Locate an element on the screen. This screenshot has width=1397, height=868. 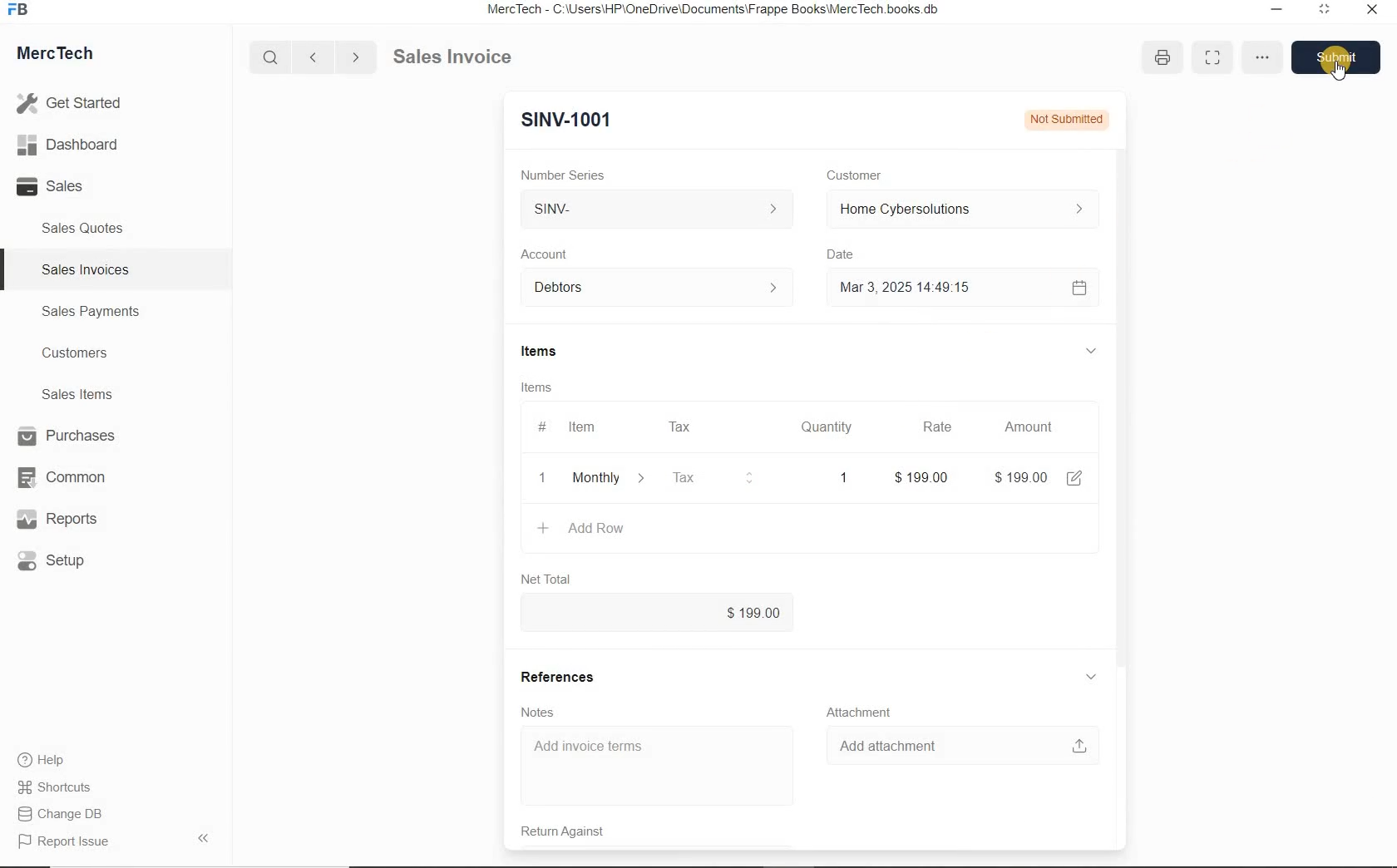
Return Against is located at coordinates (575, 831).